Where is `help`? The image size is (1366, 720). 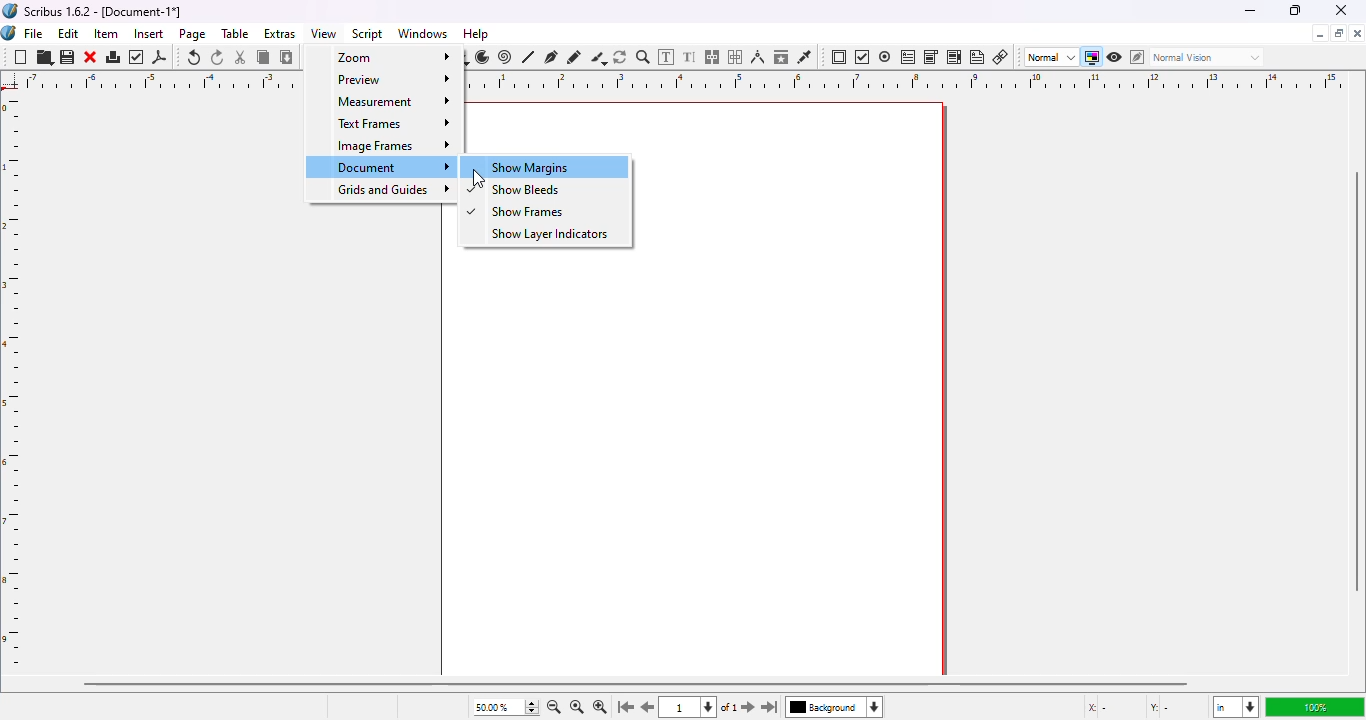 help is located at coordinates (476, 34).